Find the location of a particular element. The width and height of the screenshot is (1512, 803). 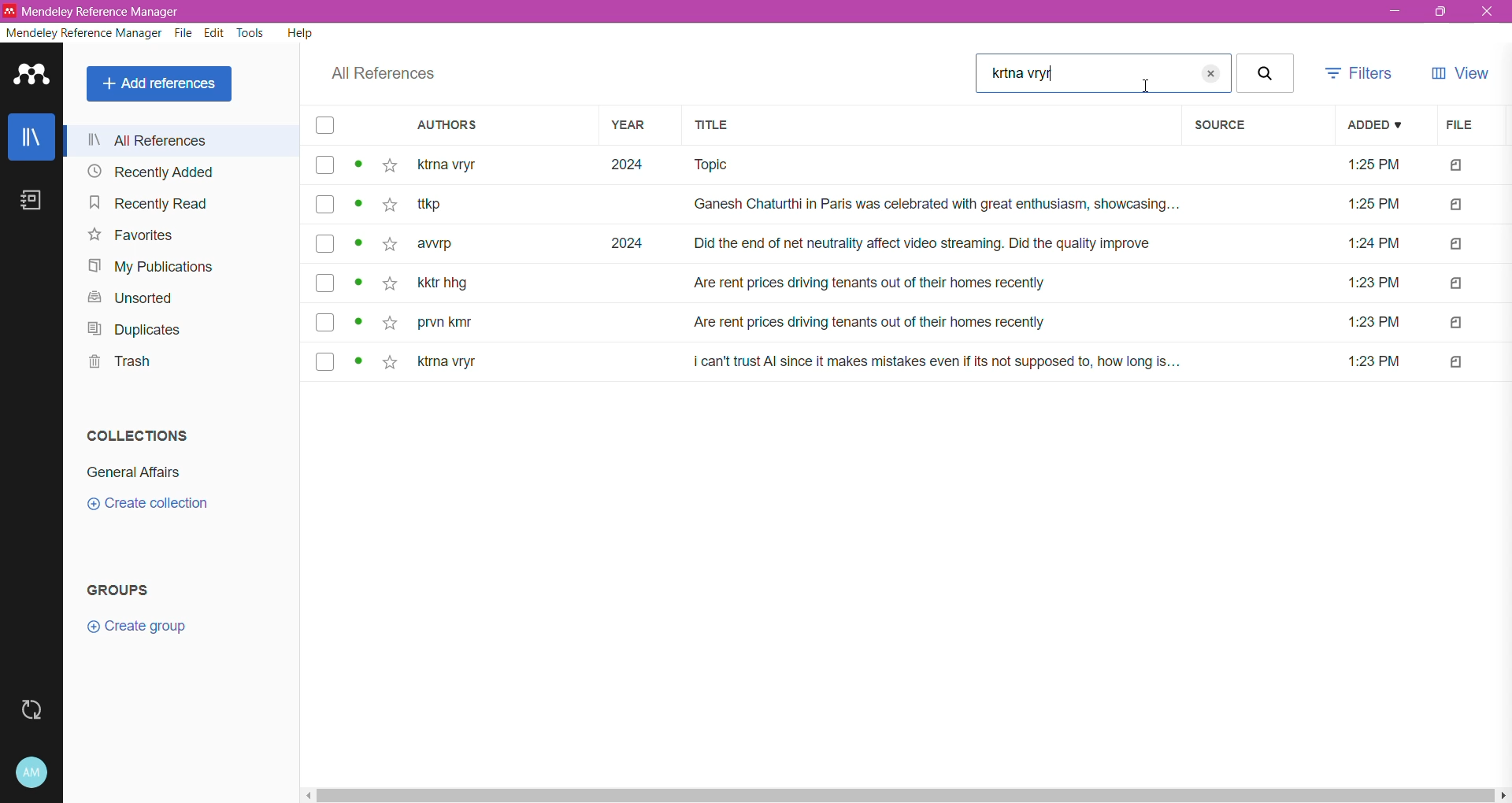

All References is located at coordinates (381, 74).